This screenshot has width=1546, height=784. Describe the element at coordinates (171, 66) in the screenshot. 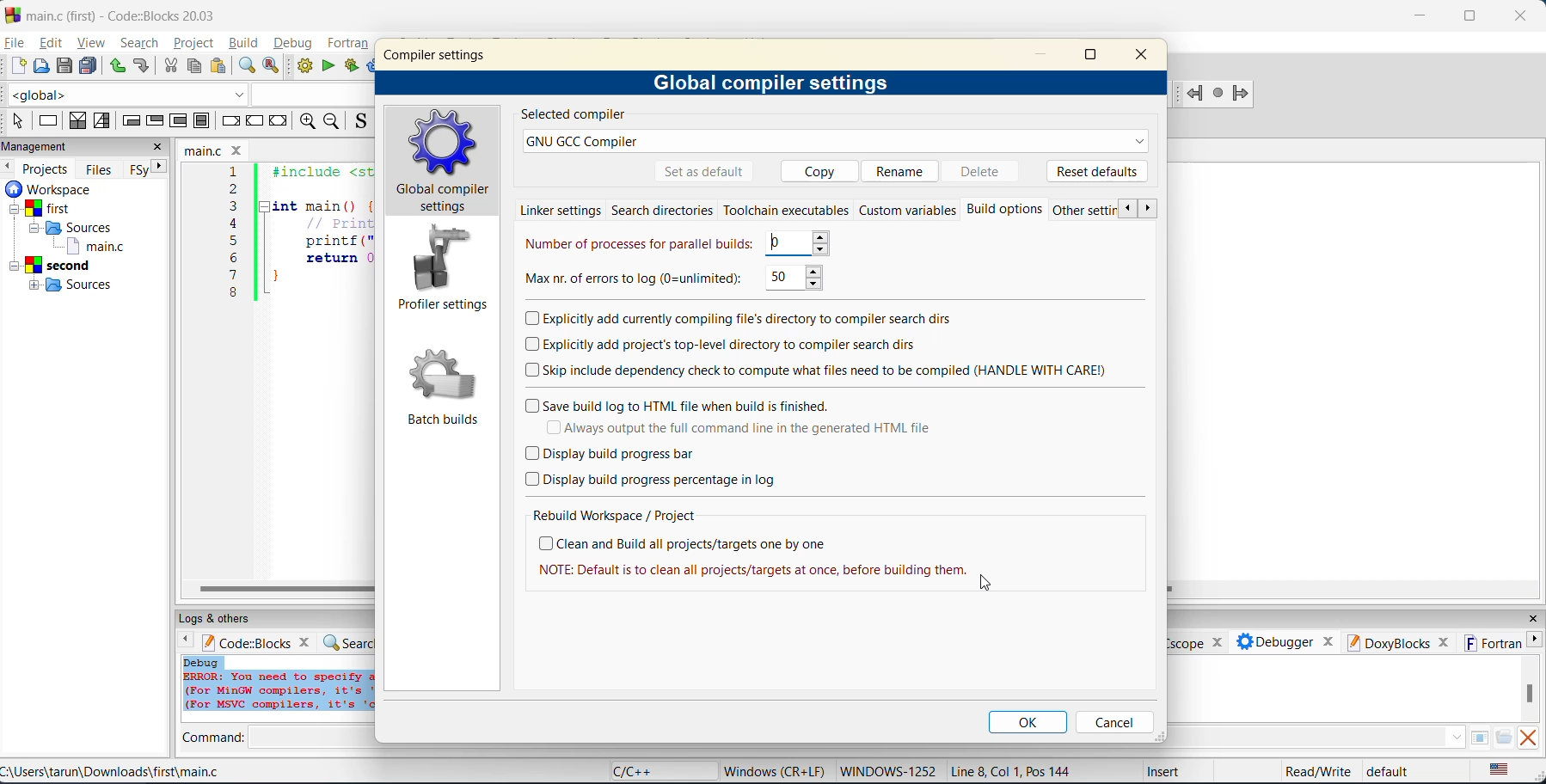

I see `cut` at that location.